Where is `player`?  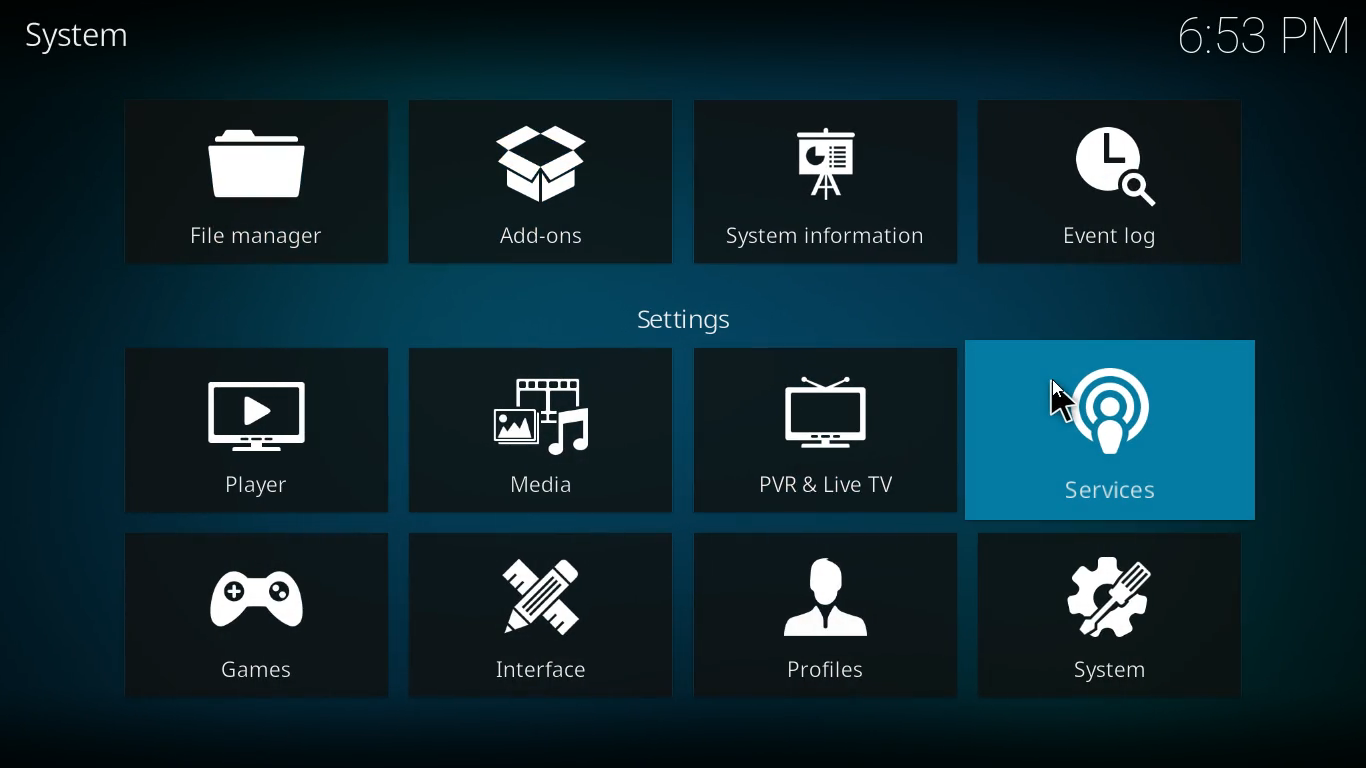
player is located at coordinates (254, 428).